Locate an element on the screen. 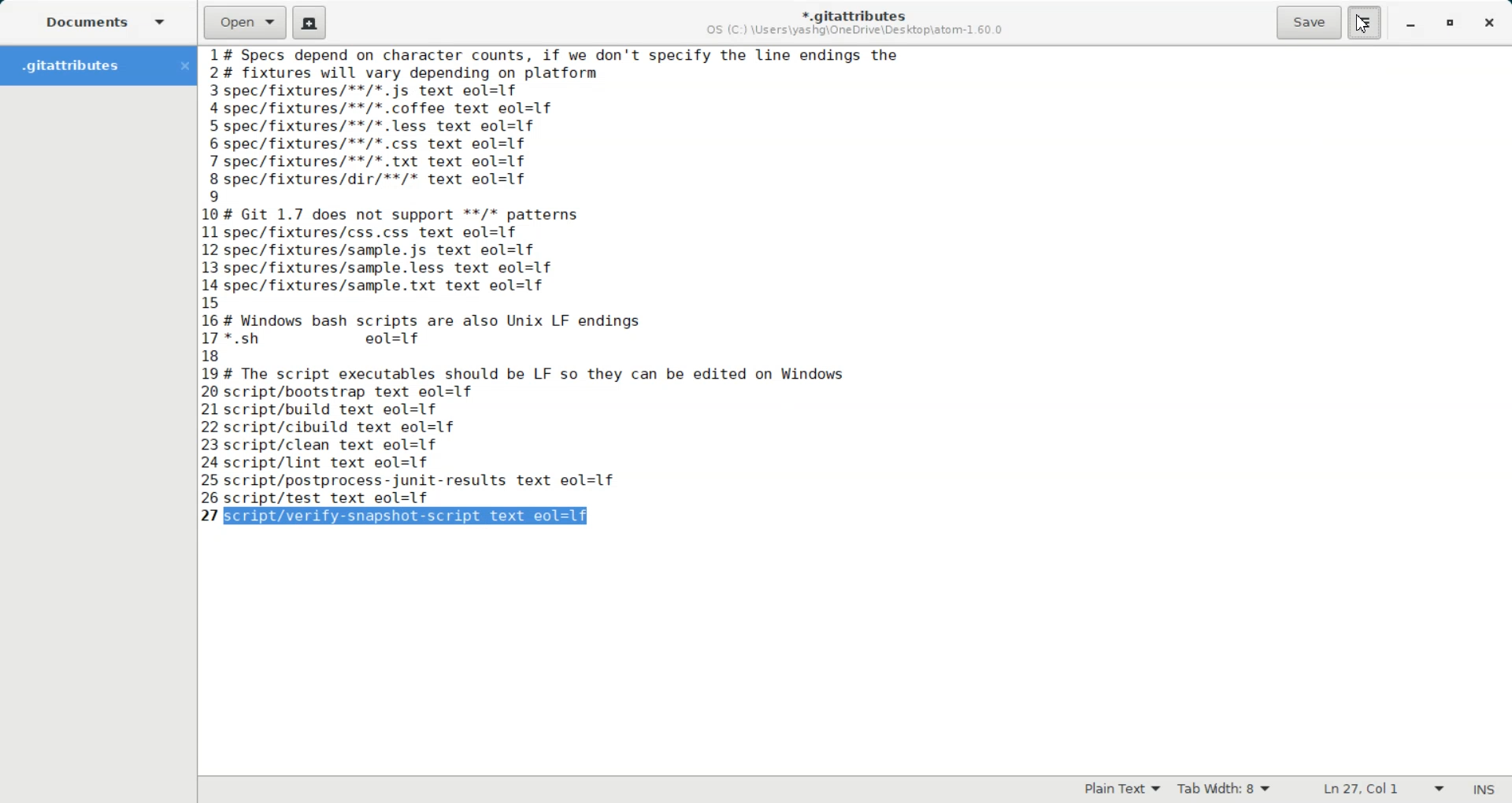  Cursor is located at coordinates (1362, 24).